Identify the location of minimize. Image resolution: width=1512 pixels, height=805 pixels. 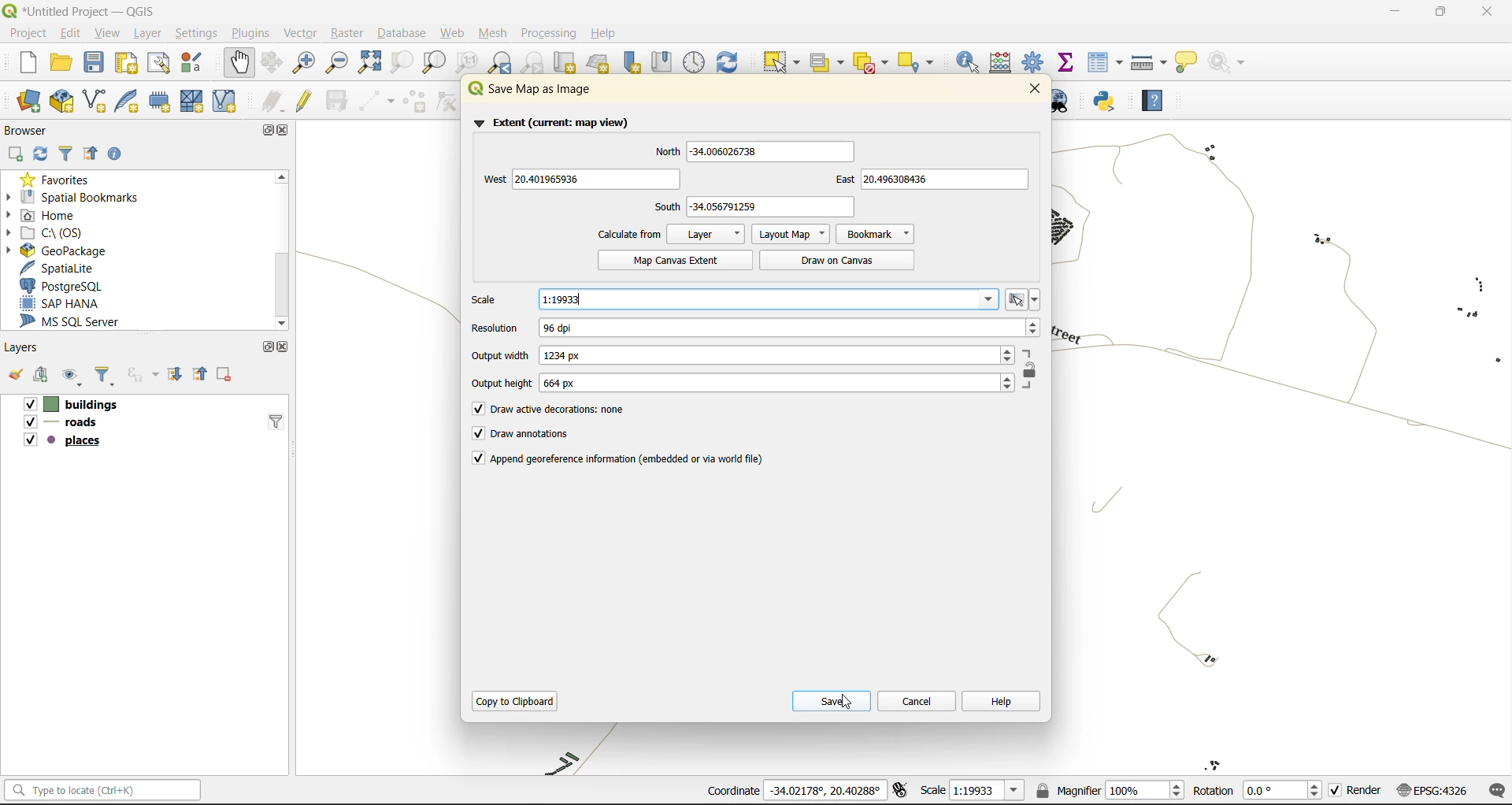
(1394, 12).